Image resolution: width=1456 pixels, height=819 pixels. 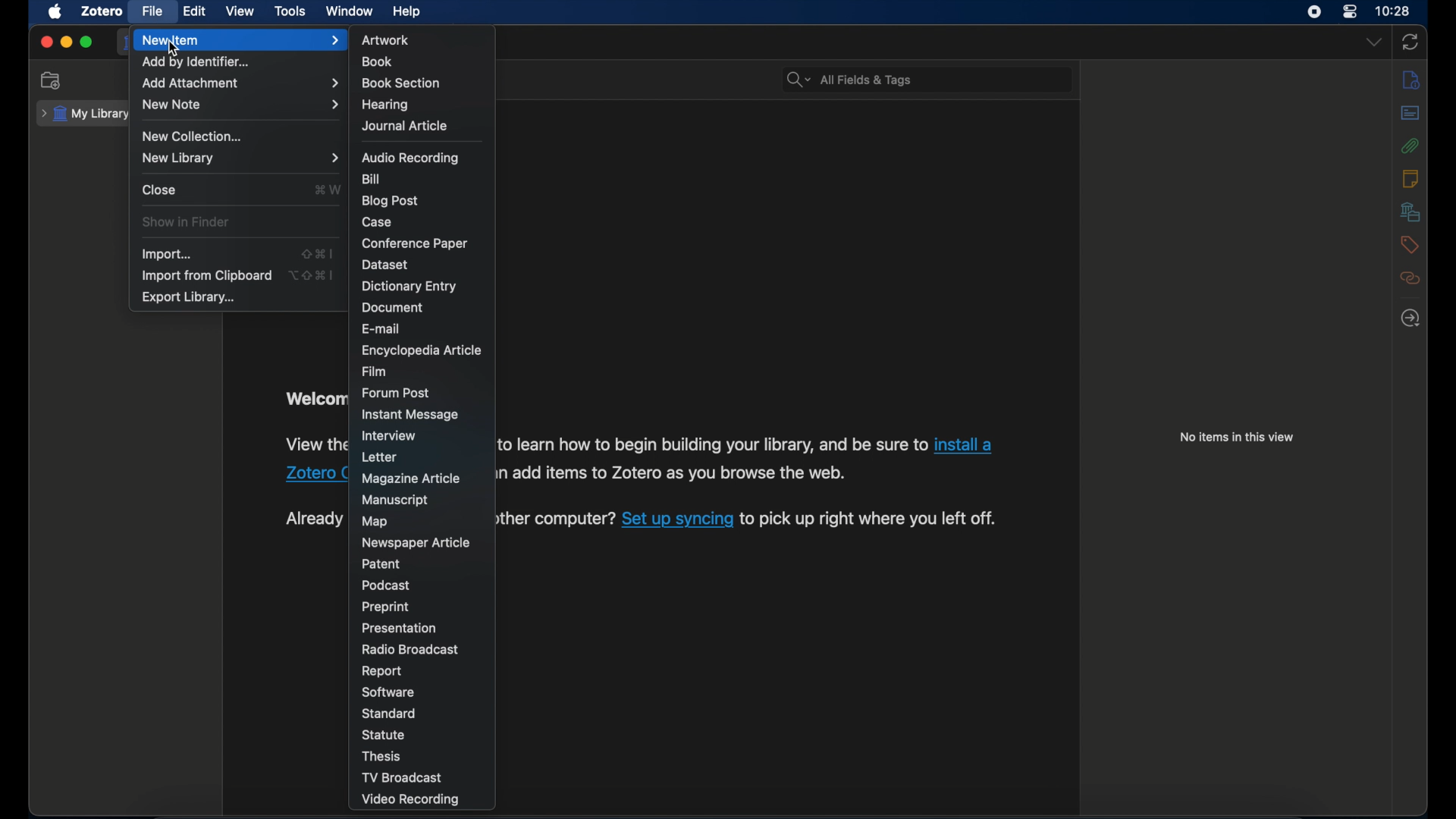 What do you see at coordinates (385, 585) in the screenshot?
I see `podcast` at bounding box center [385, 585].